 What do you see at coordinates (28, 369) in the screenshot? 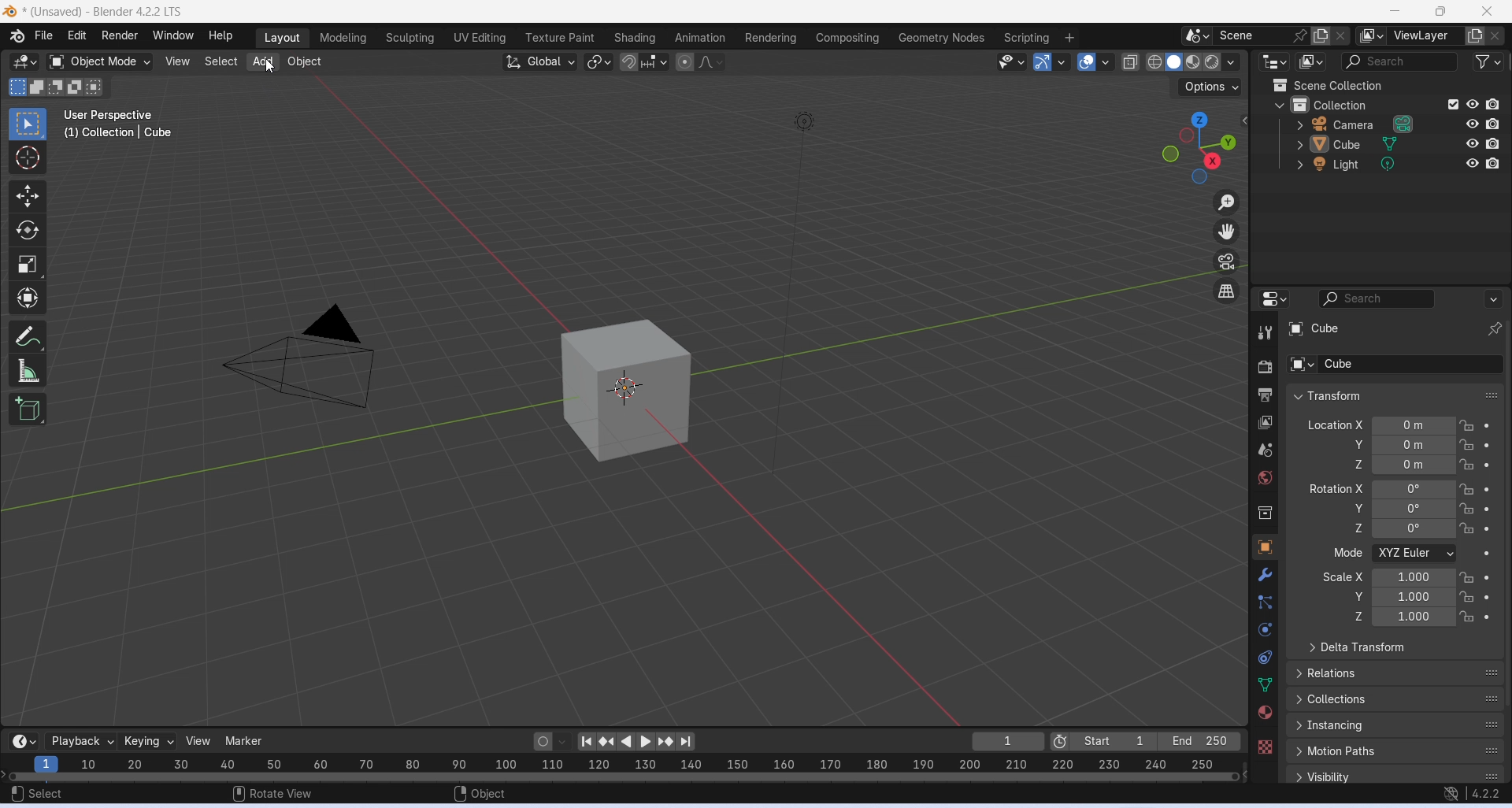
I see `measure` at bounding box center [28, 369].